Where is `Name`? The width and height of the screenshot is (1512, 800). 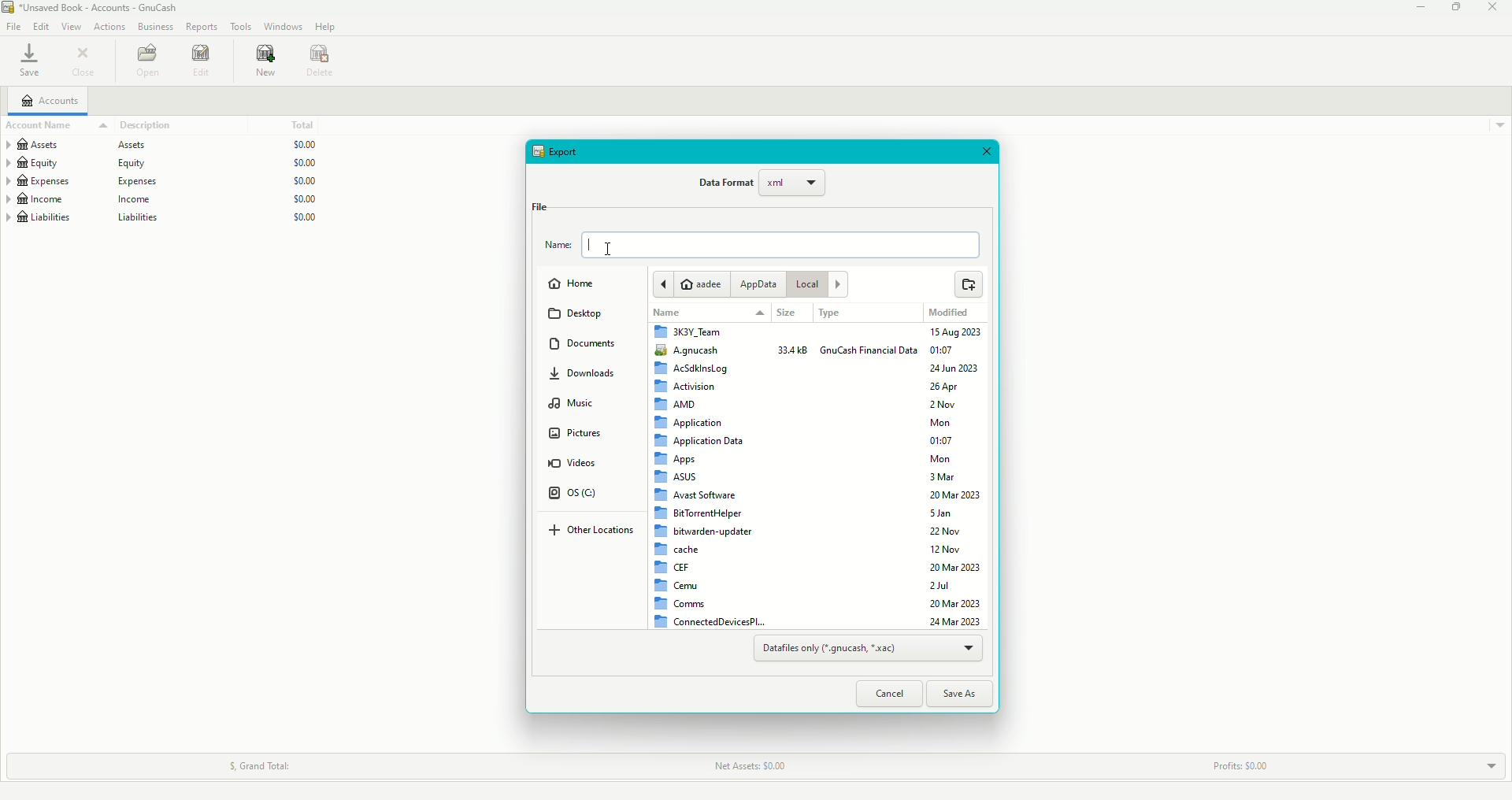
Name is located at coordinates (666, 314).